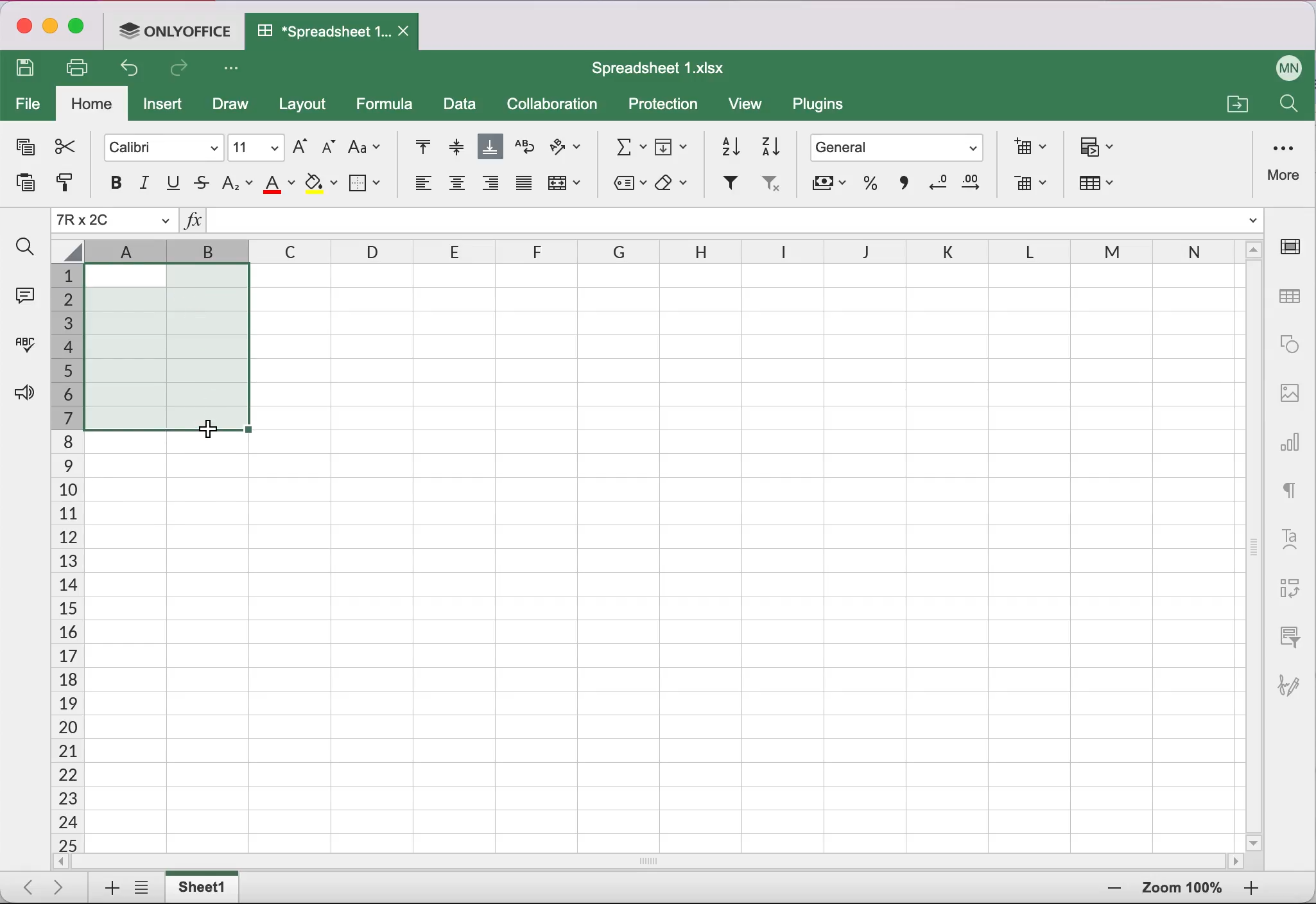 The image size is (1316, 904). What do you see at coordinates (729, 184) in the screenshot?
I see `filter` at bounding box center [729, 184].